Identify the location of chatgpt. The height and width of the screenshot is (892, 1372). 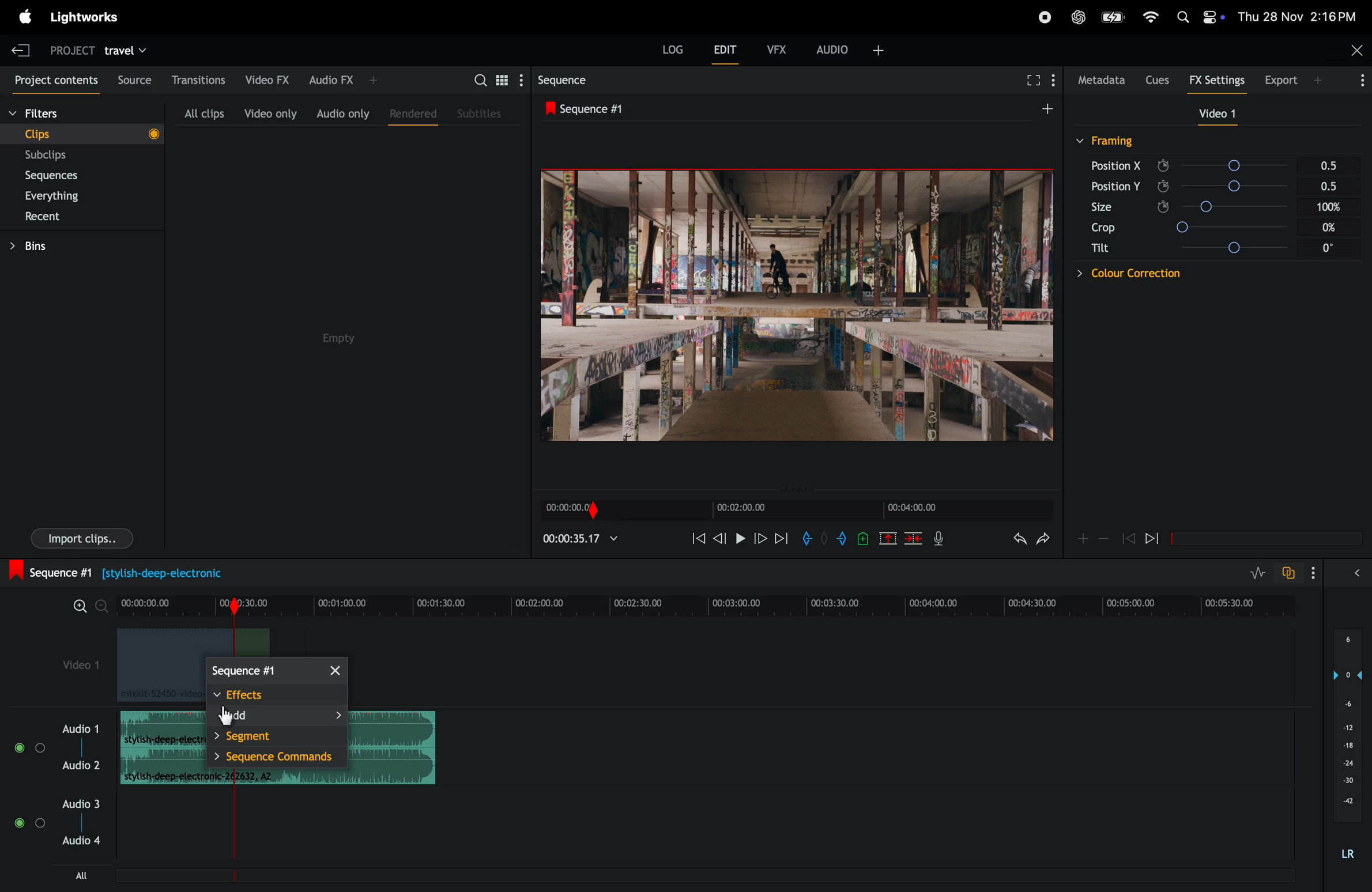
(1080, 16).